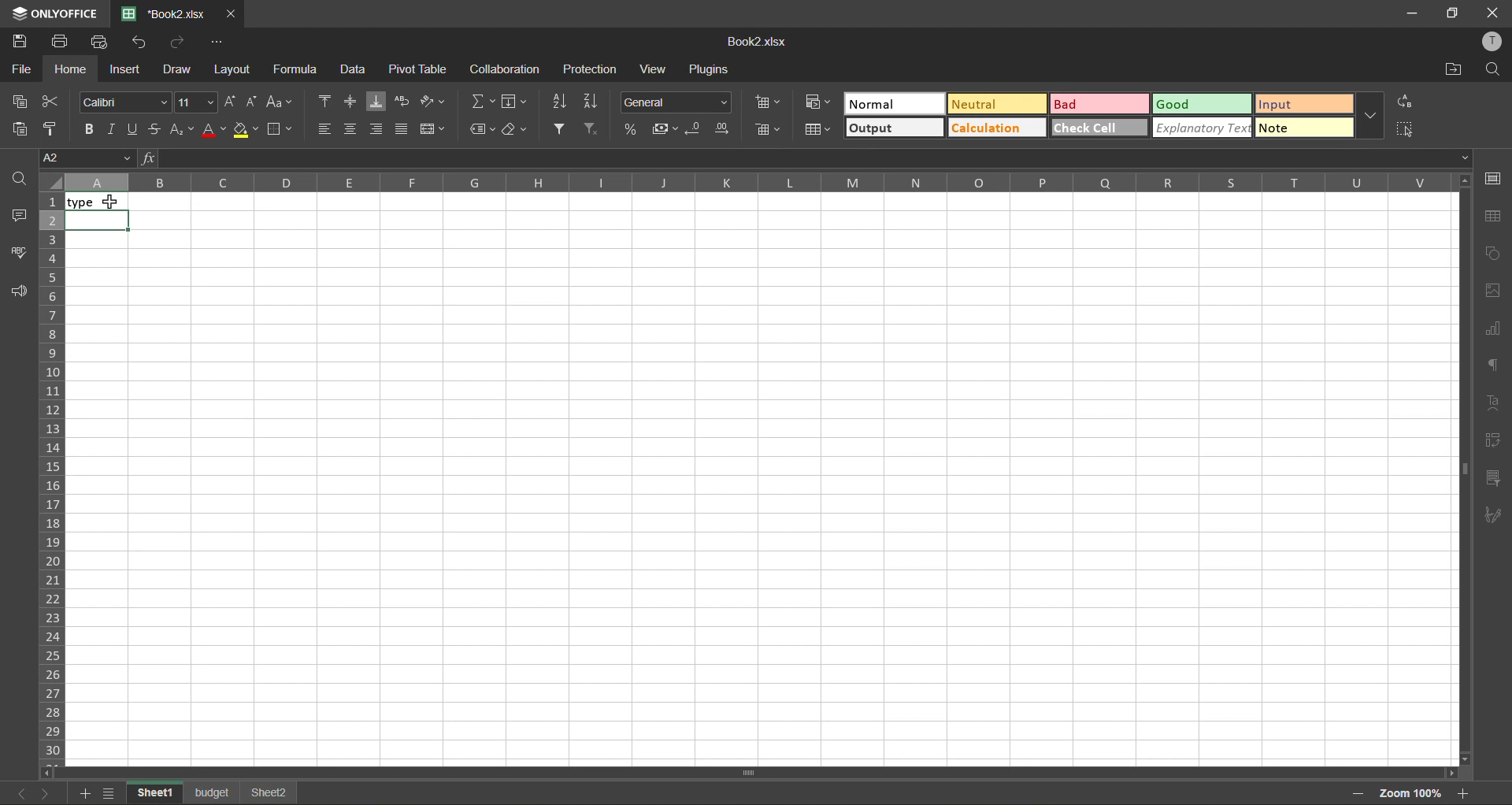  I want to click on font style, so click(125, 100).